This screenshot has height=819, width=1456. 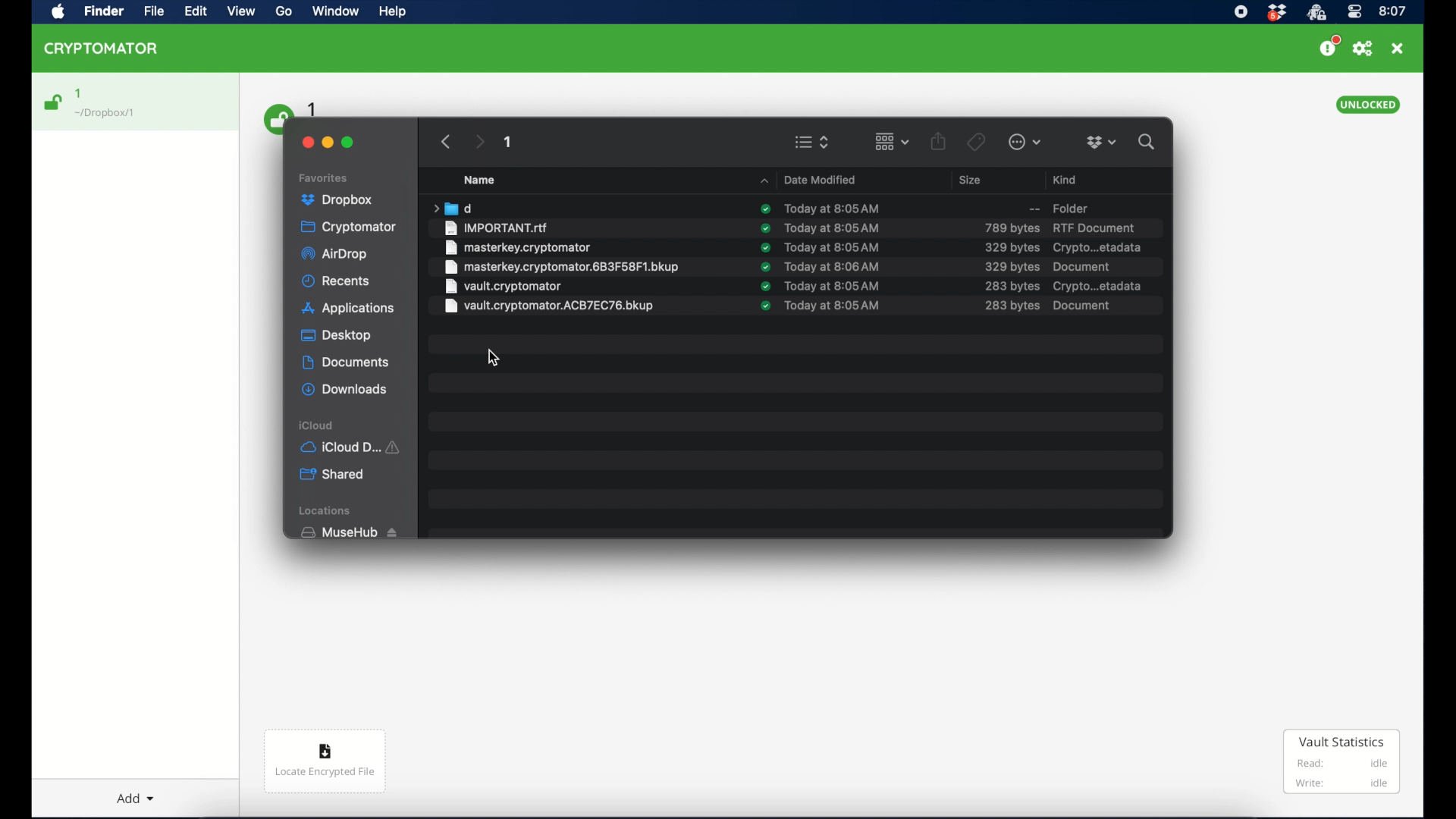 What do you see at coordinates (328, 511) in the screenshot?
I see `locations` at bounding box center [328, 511].